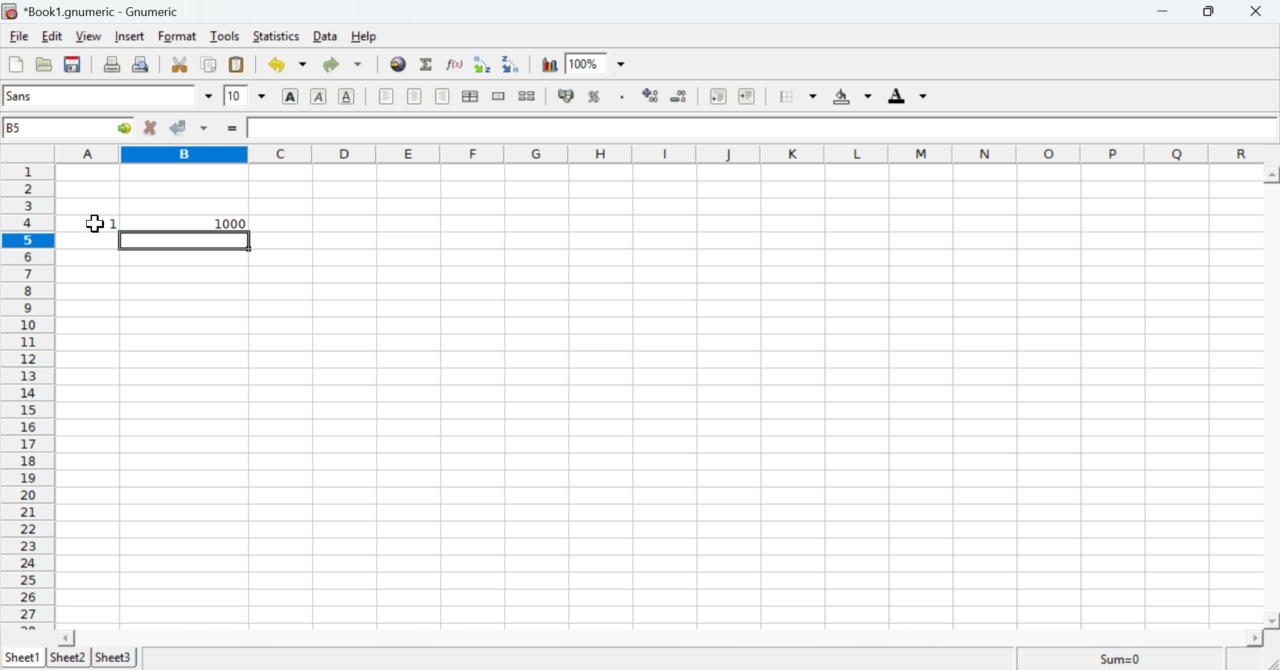 This screenshot has height=670, width=1280. Describe the element at coordinates (370, 37) in the screenshot. I see `Help` at that location.